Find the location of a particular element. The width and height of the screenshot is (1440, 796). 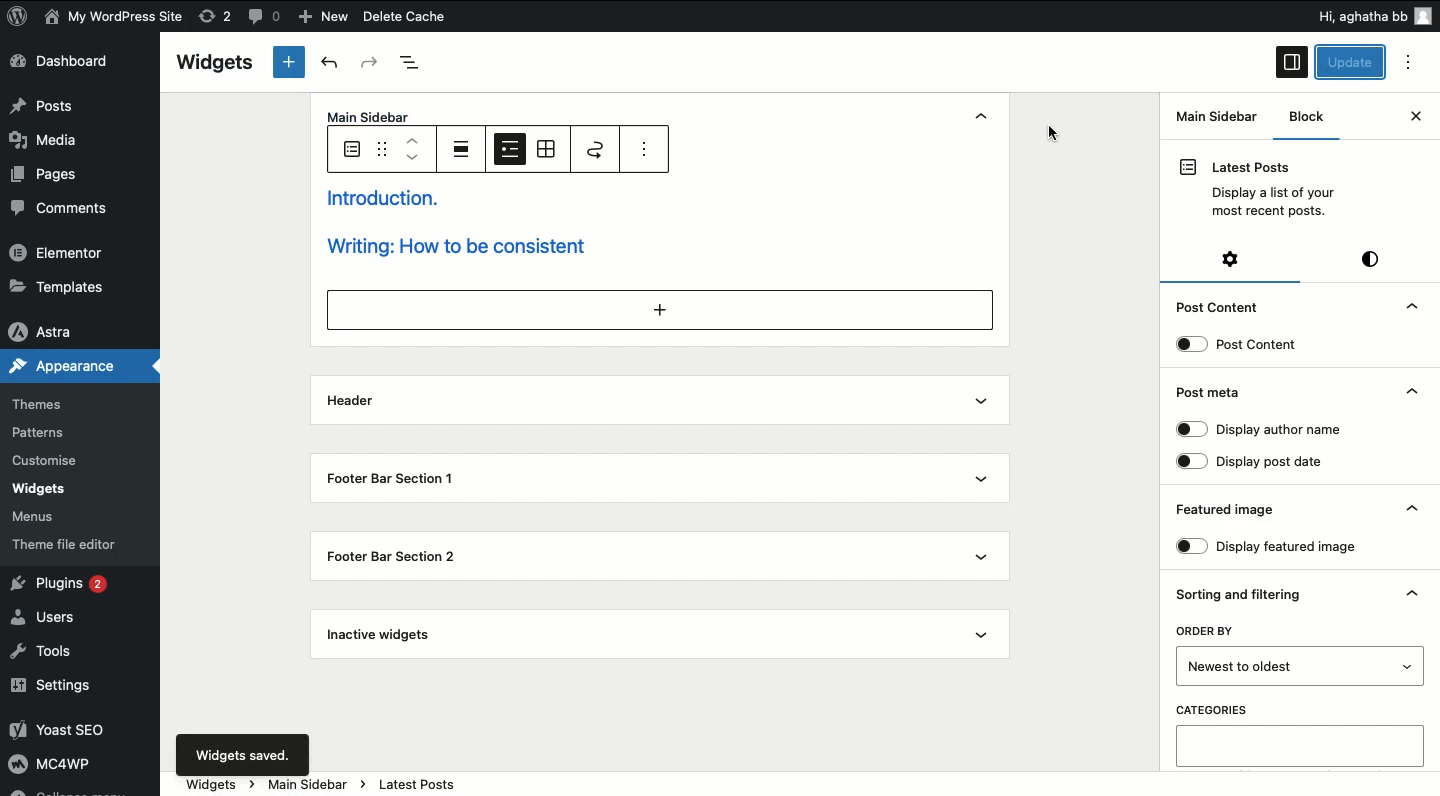

Display post date is located at coordinates (1250, 463).